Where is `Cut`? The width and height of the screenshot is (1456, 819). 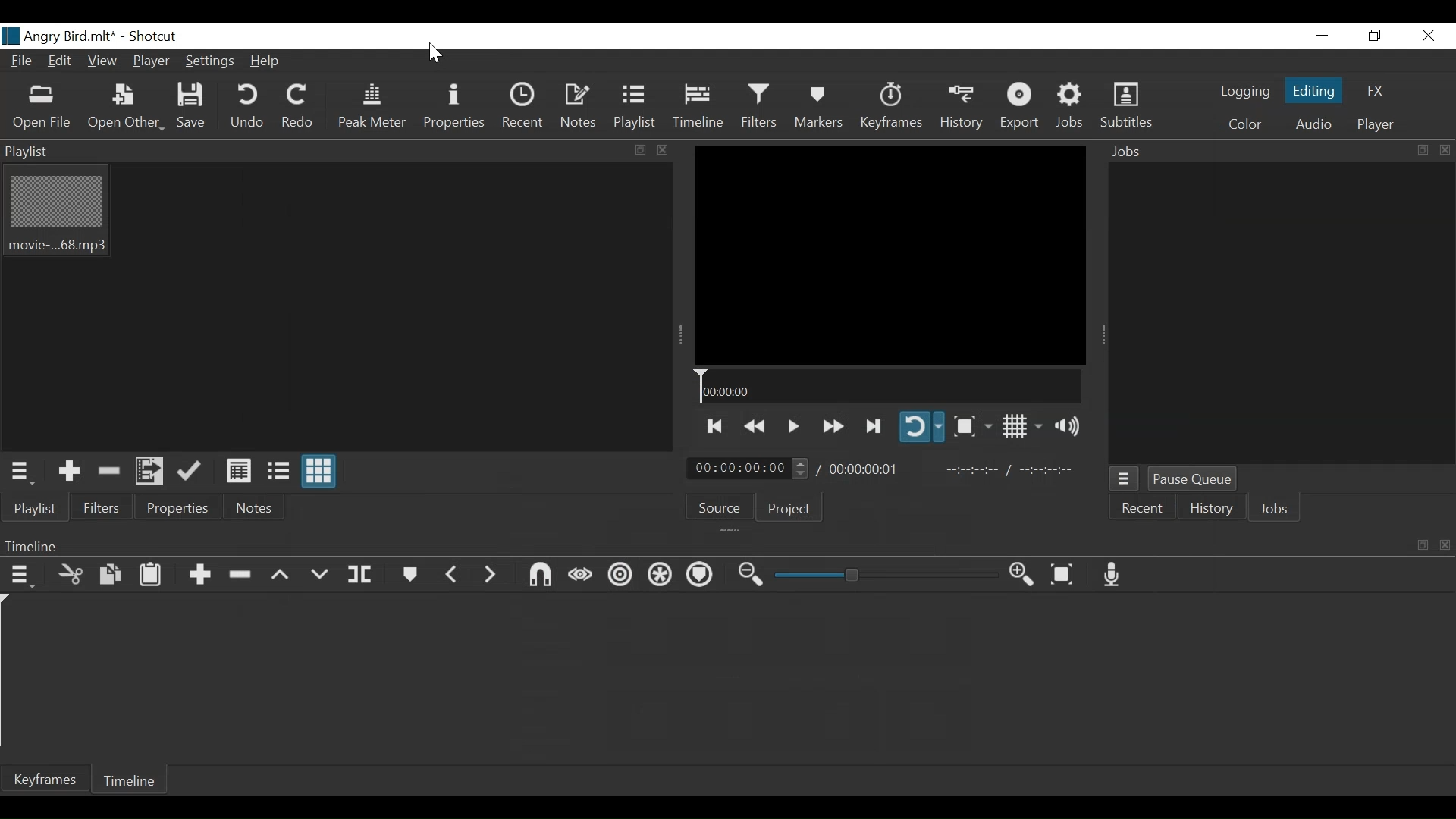 Cut is located at coordinates (67, 573).